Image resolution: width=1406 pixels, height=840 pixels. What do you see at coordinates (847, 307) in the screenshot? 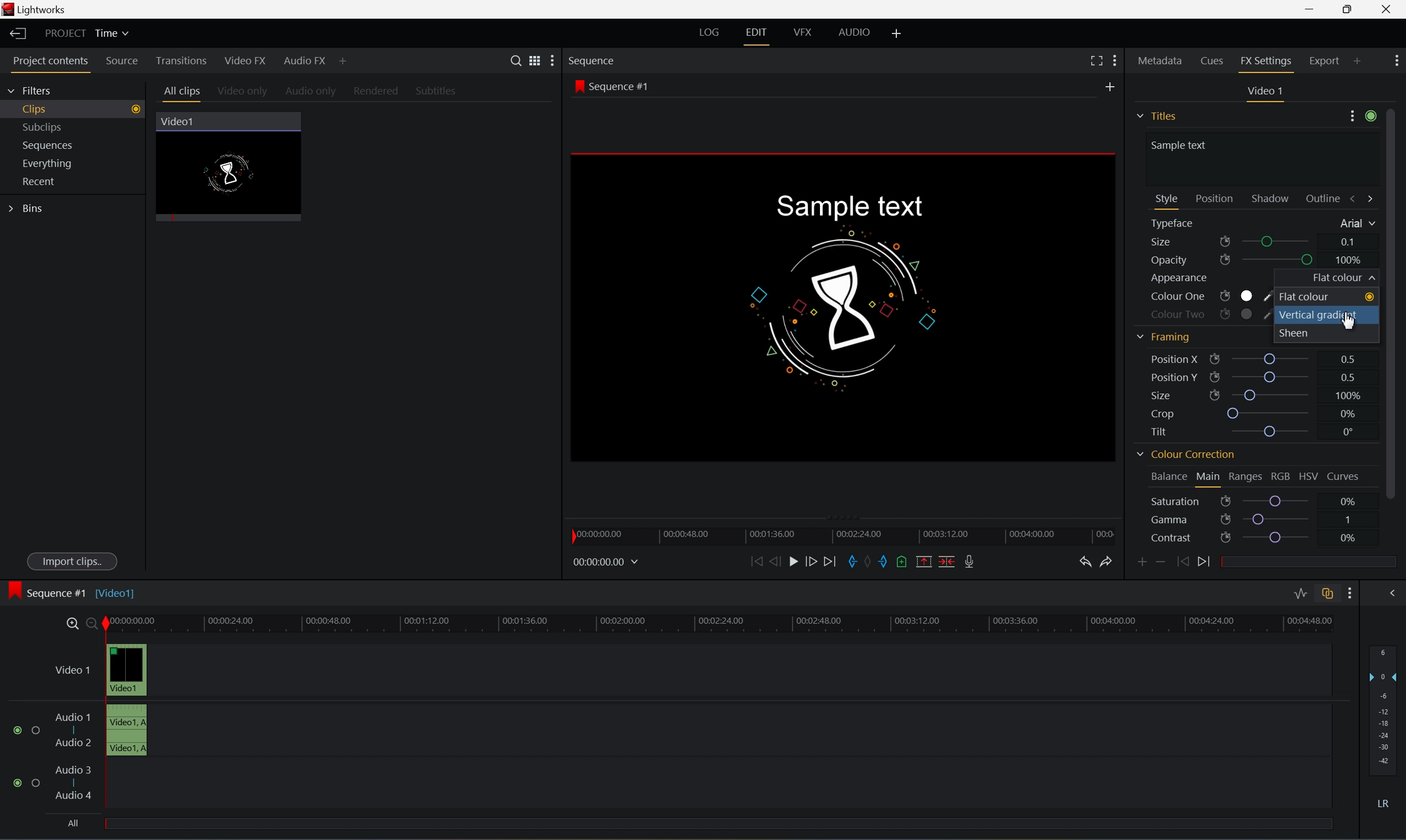
I see `image` at bounding box center [847, 307].